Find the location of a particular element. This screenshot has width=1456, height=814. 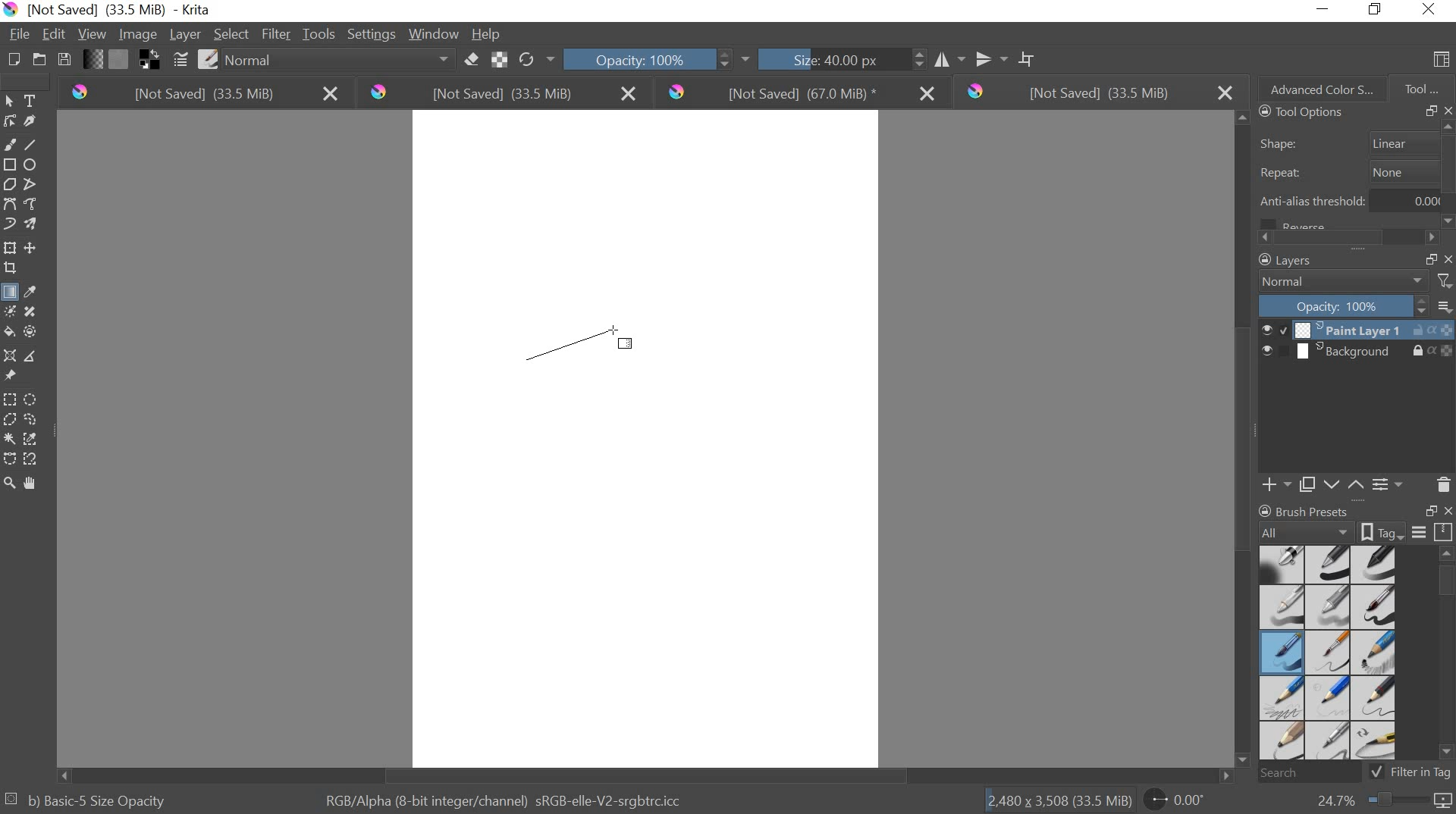

edit shapes is located at coordinates (12, 121).